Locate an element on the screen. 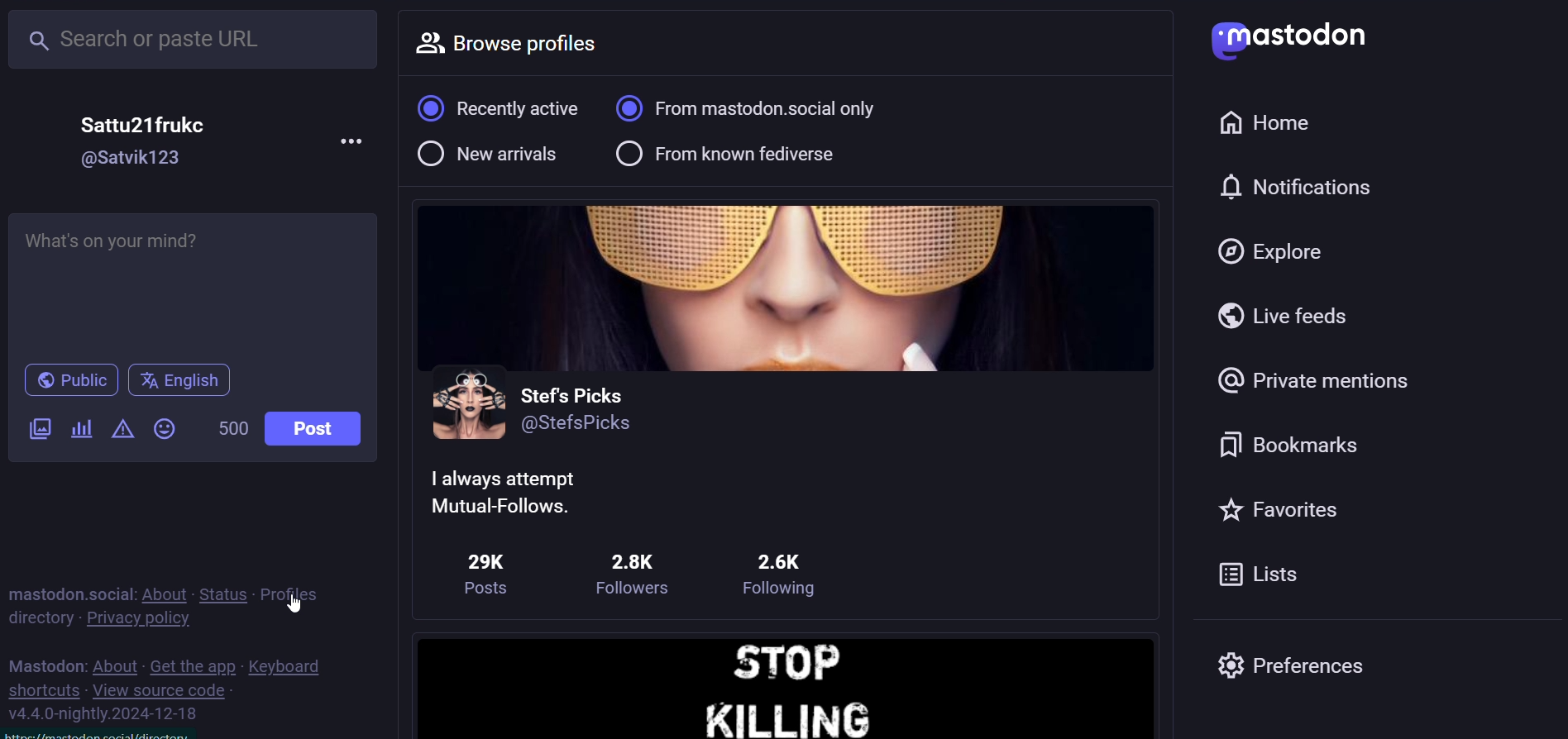 This screenshot has width=1568, height=739. home is located at coordinates (1270, 125).